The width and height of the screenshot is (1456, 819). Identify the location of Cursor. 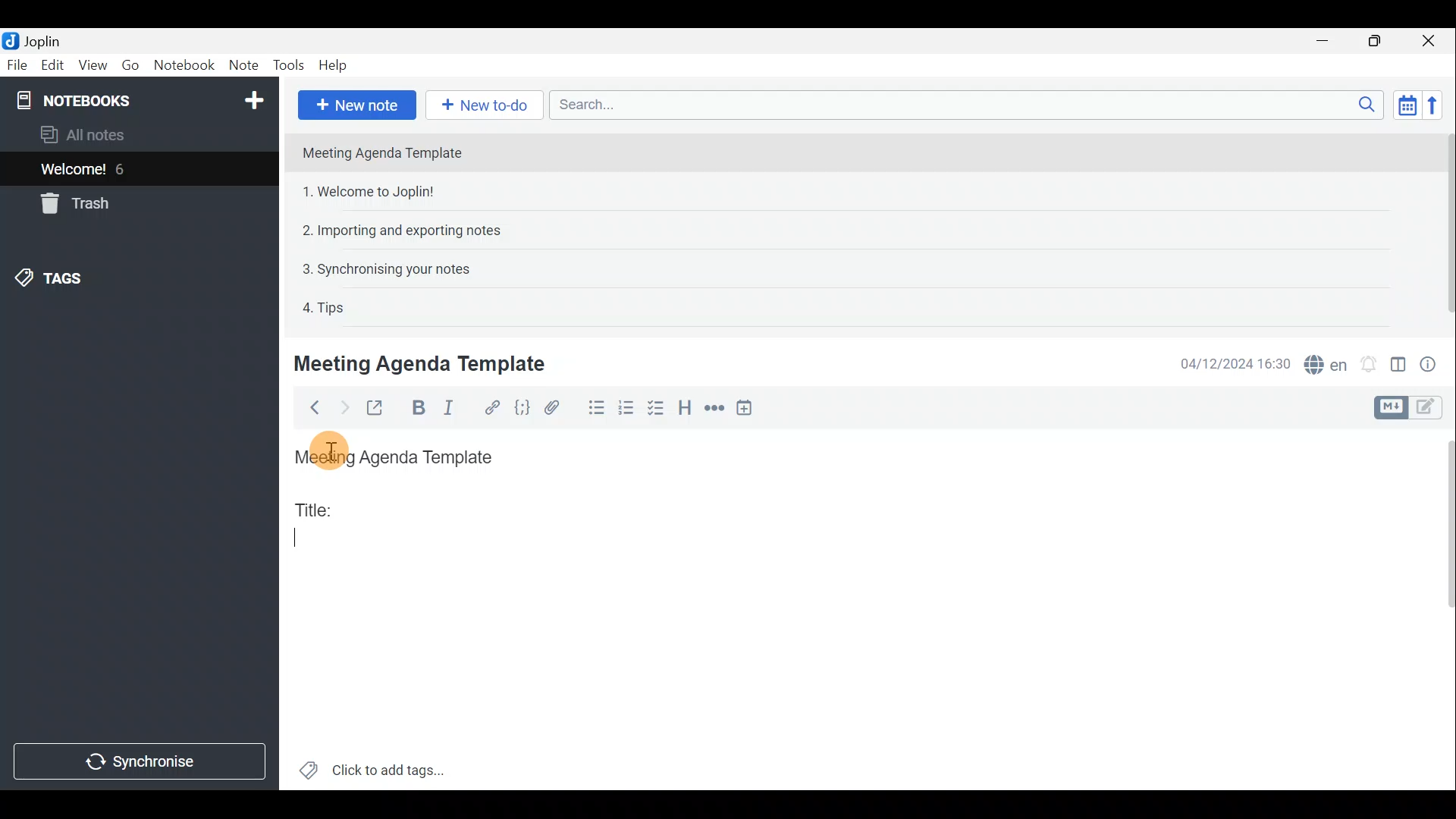
(312, 539).